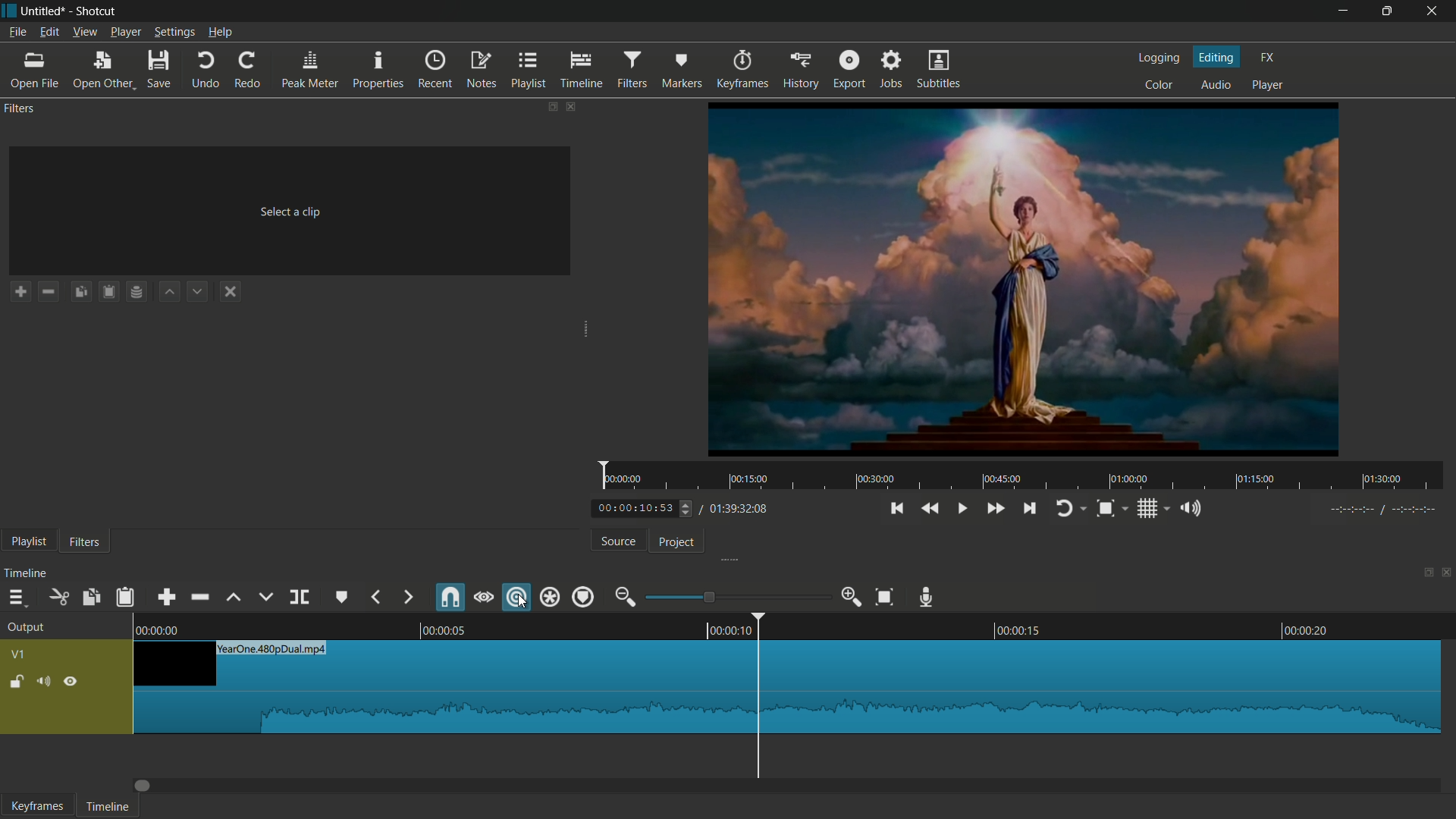 The height and width of the screenshot is (819, 1456). I want to click on paste filters, so click(108, 290).